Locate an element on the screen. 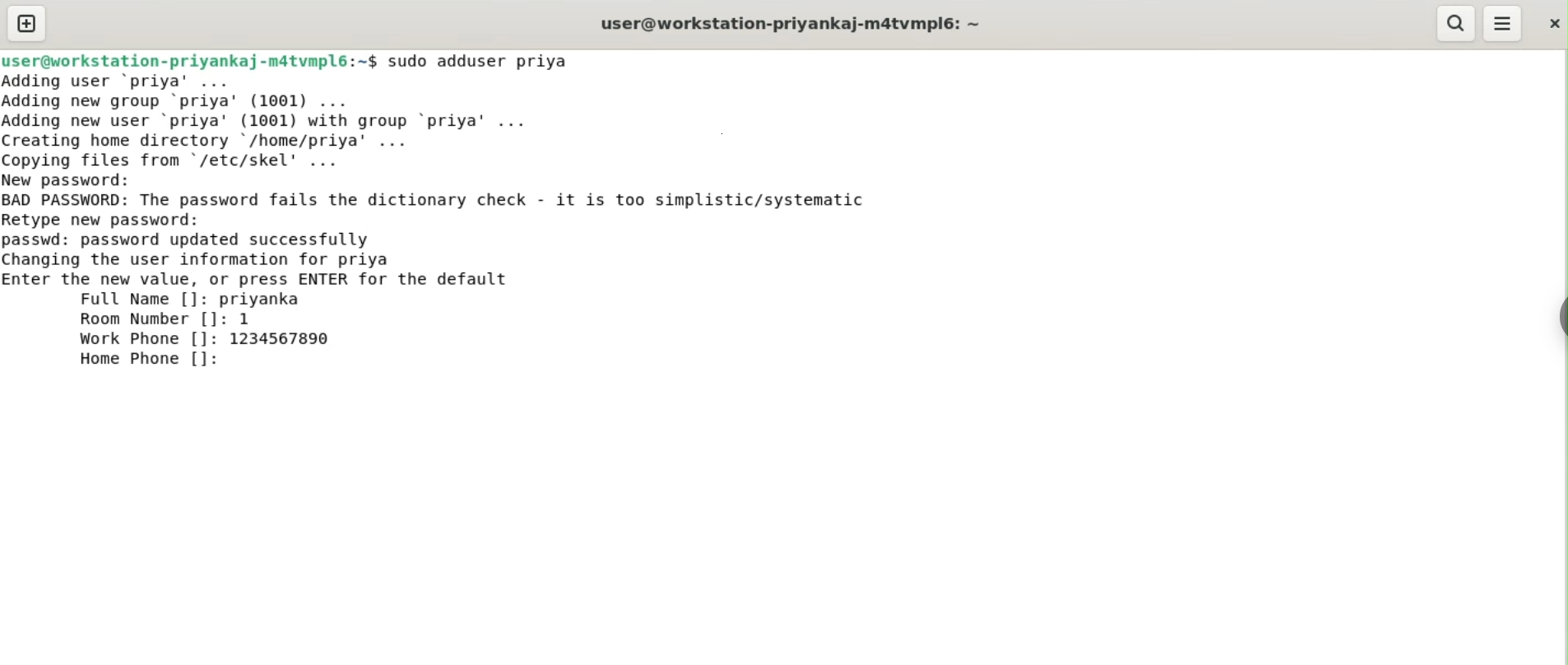 The width and height of the screenshot is (1568, 665). Adding user ‘priya' ...

Adding new group ‘priya’ (1001) ...

Adding new user ‘priya' (1001) with group ‘priya' ...
Creating home directory '/home/priya' ...

Copying files from "/etc/skel' ... is located at coordinates (274, 121).